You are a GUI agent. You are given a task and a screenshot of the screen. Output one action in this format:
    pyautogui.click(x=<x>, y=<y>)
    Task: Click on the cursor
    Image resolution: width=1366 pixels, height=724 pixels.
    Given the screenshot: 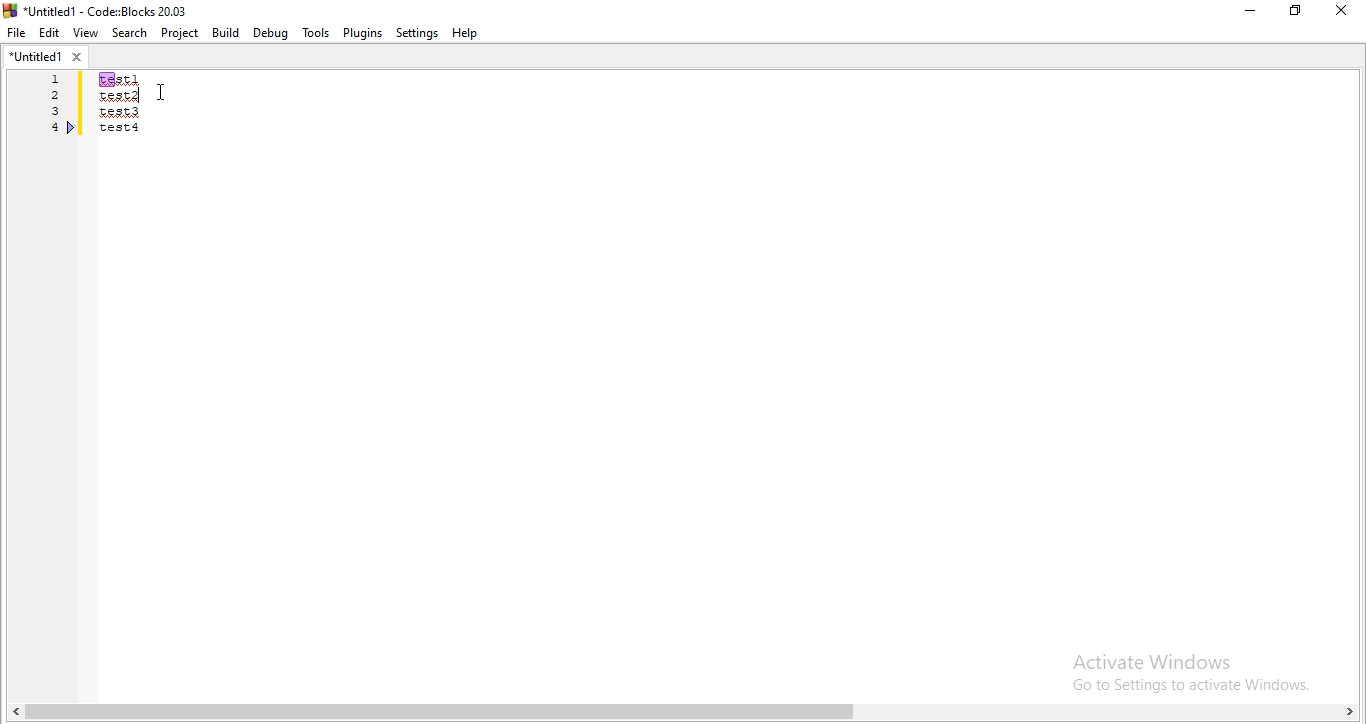 What is the action you would take?
    pyautogui.click(x=161, y=92)
    